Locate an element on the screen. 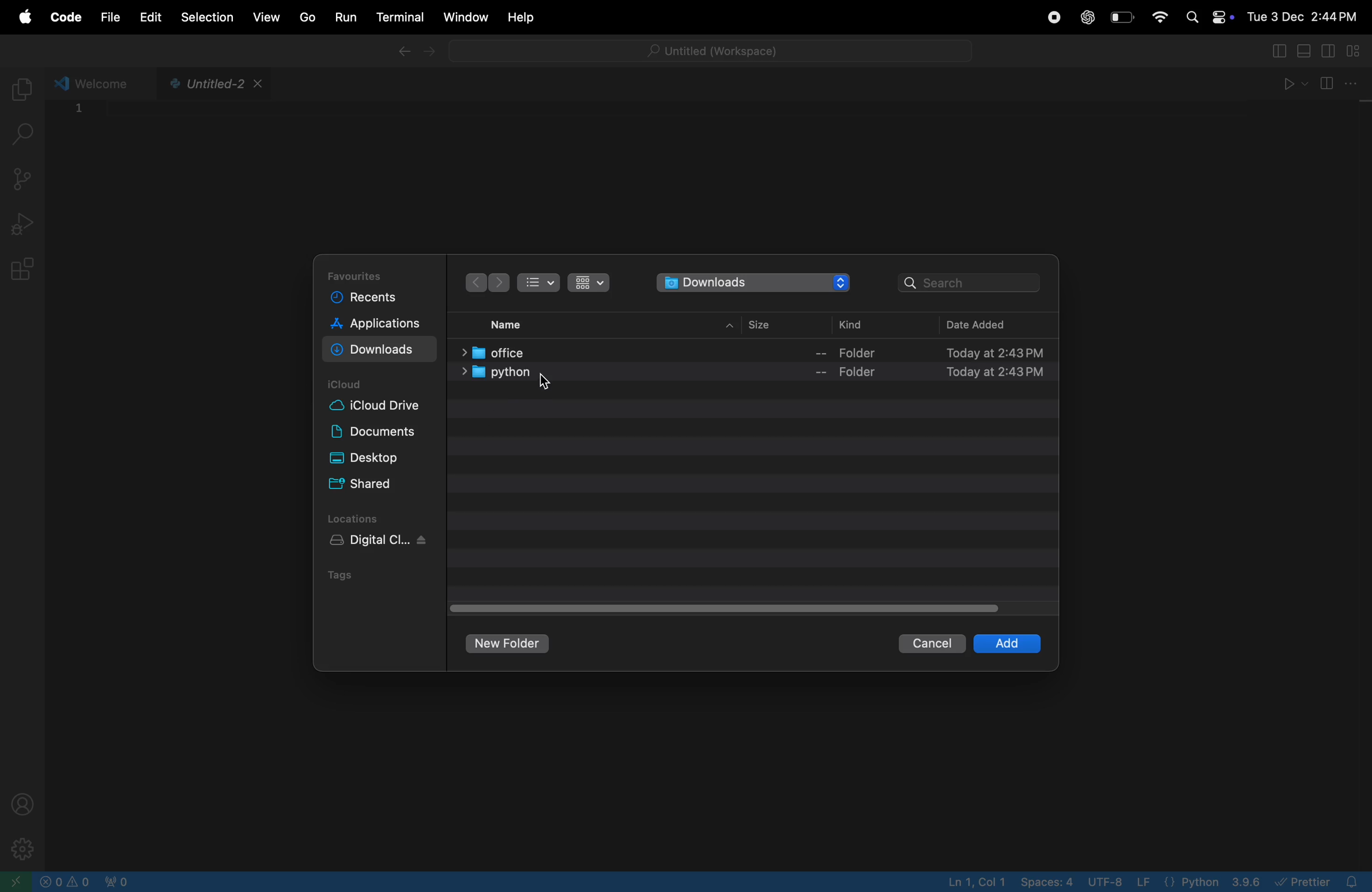 This screenshot has width=1372, height=892. source control is located at coordinates (24, 177).